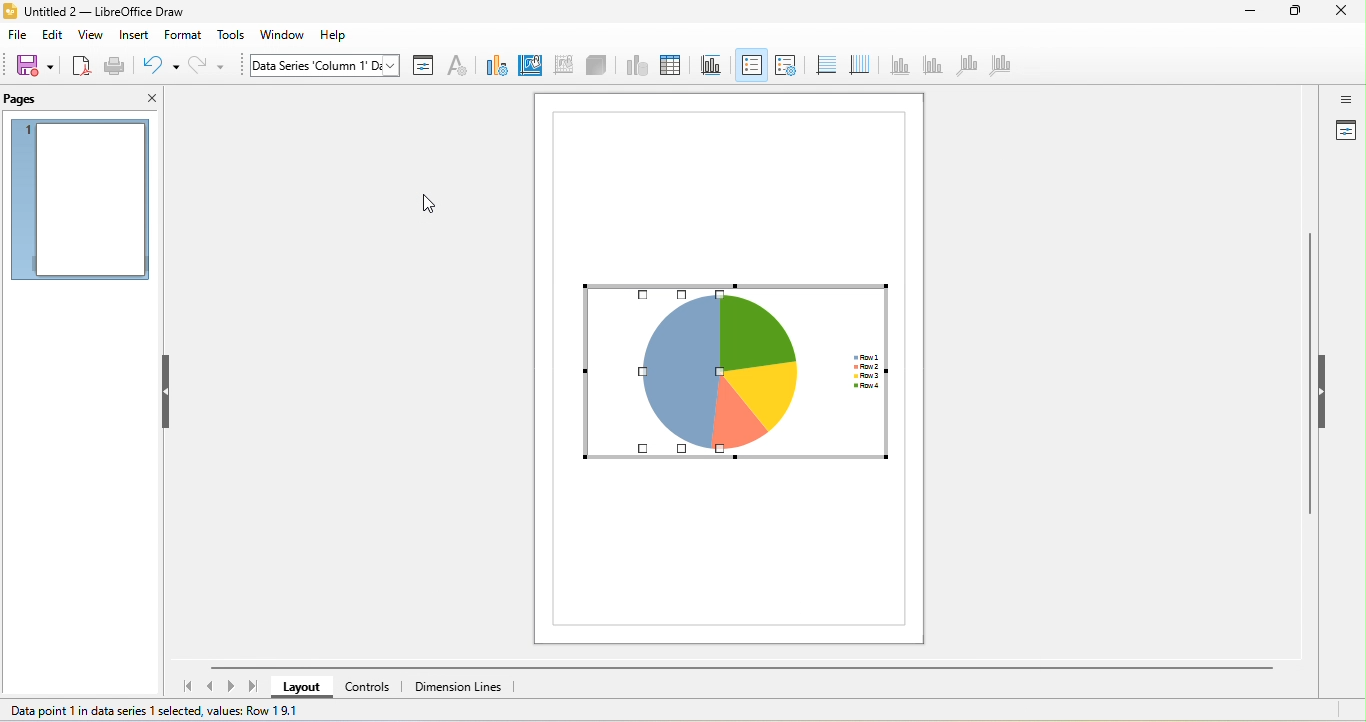 The image size is (1366, 722). I want to click on pages, so click(39, 99).